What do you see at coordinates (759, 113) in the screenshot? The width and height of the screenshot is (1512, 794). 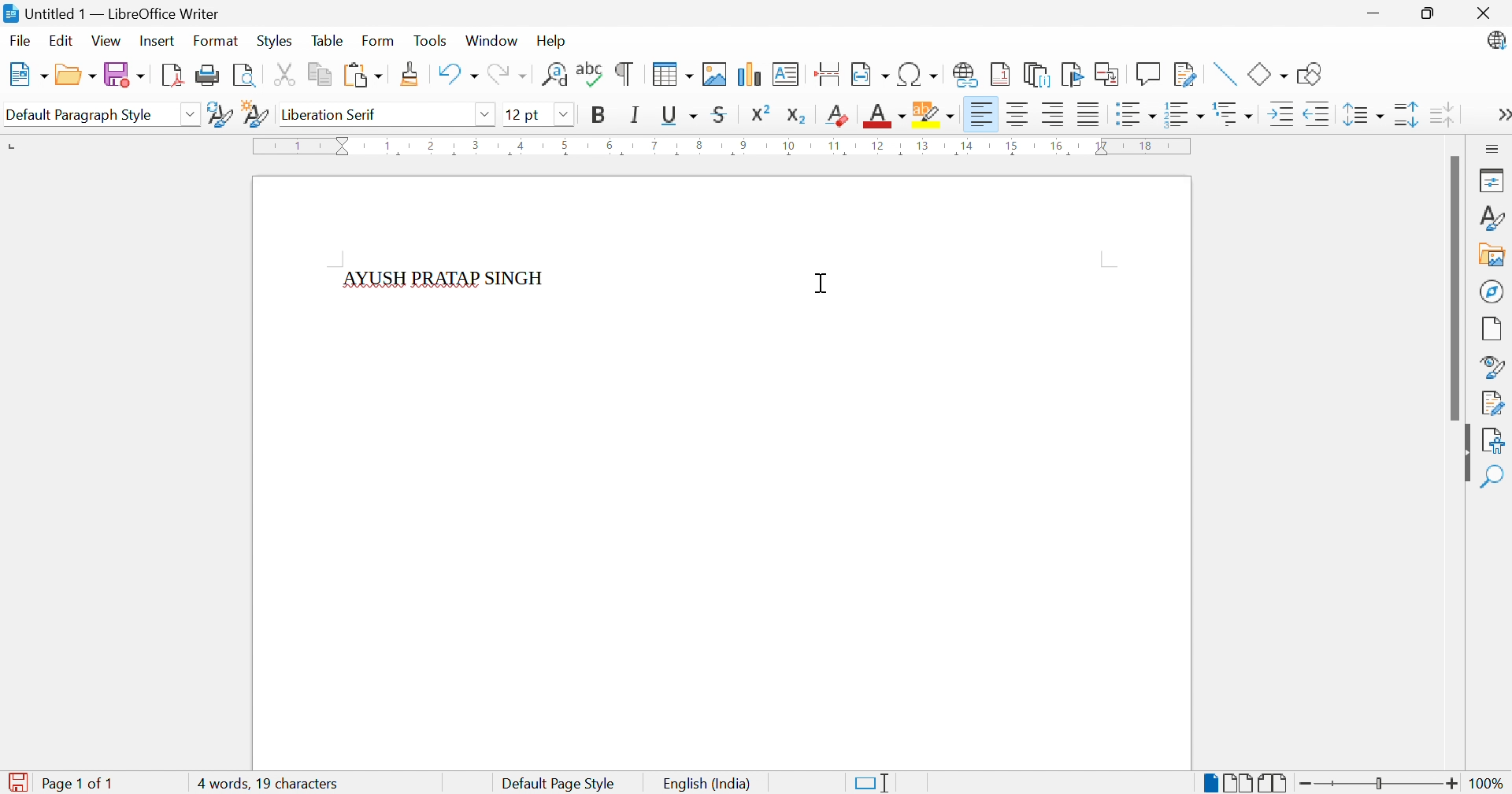 I see `Superscript` at bounding box center [759, 113].